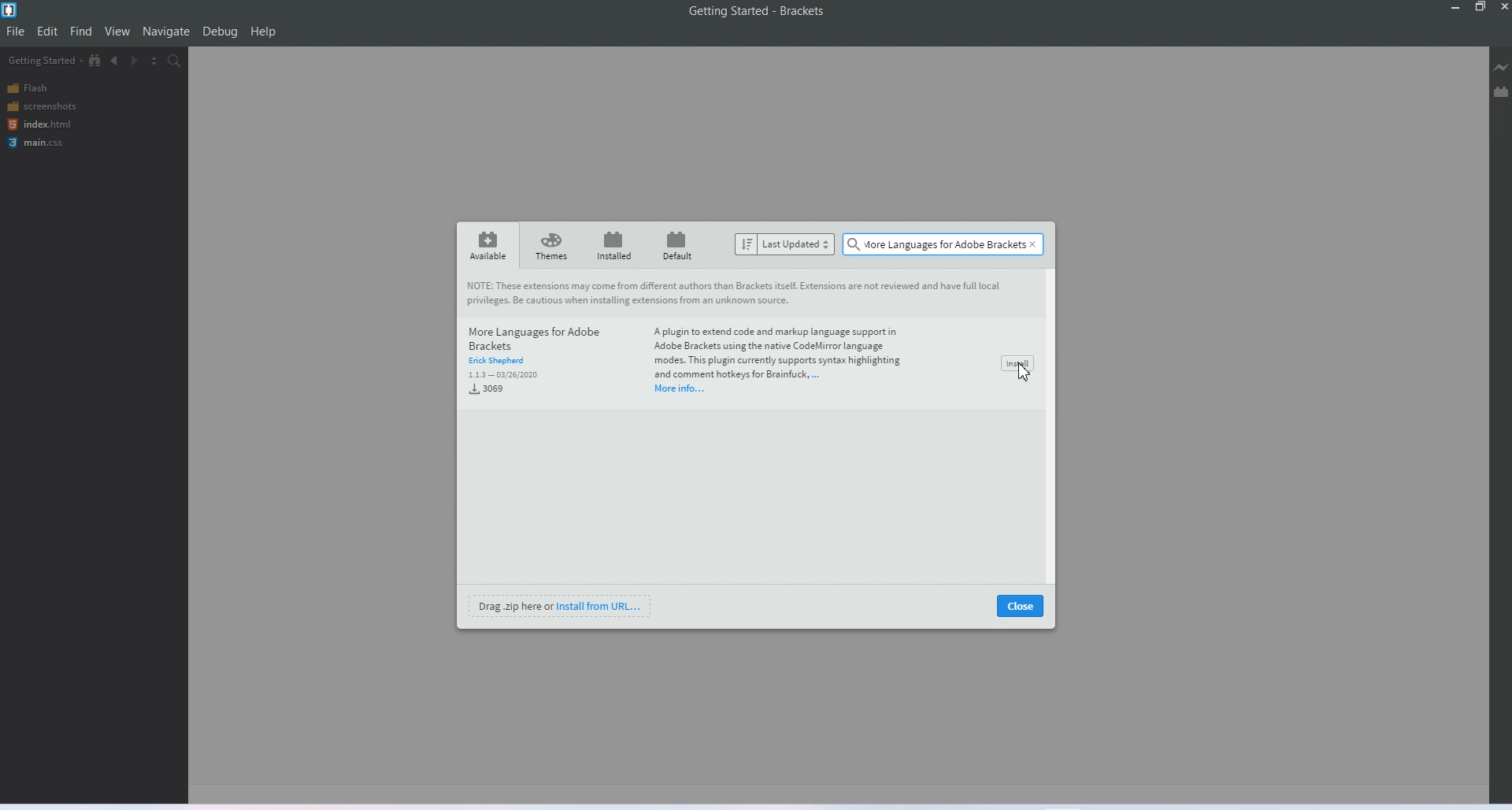 This screenshot has width=1512, height=810. Describe the element at coordinates (1480, 7) in the screenshot. I see `Maximise` at that location.